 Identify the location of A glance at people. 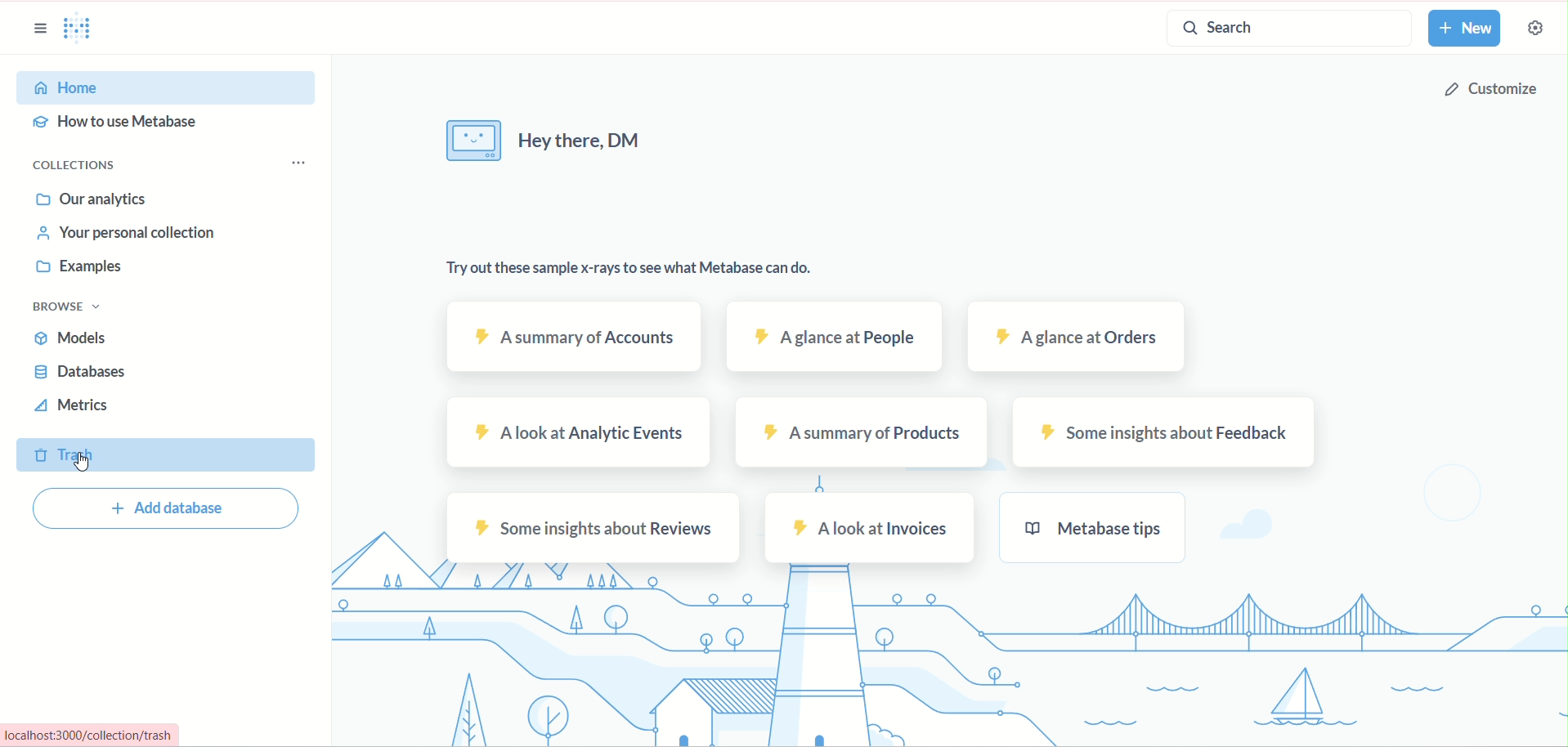
(831, 339).